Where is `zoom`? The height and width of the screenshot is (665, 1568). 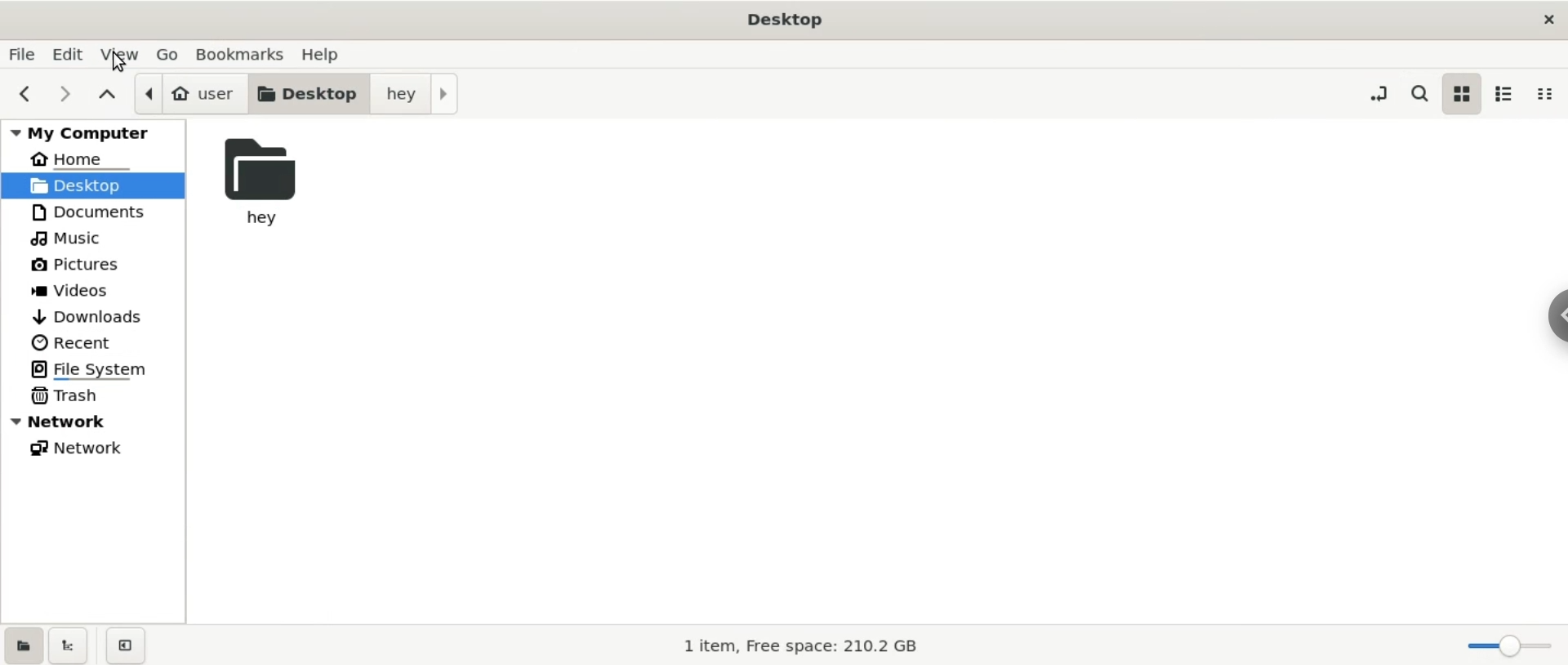
zoom is located at coordinates (1512, 647).